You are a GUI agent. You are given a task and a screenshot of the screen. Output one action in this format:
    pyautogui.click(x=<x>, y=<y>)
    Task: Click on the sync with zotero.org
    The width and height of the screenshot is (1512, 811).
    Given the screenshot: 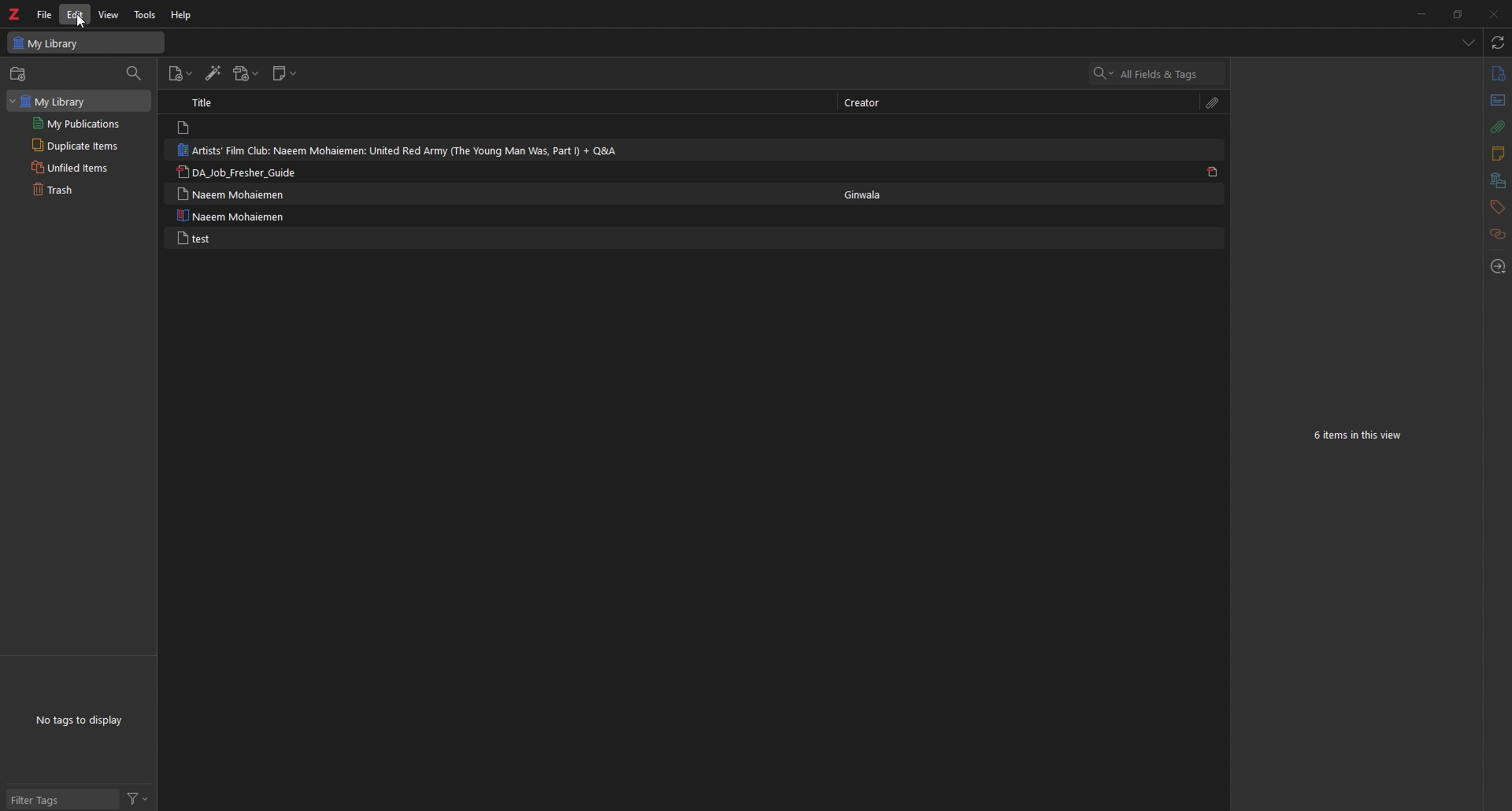 What is the action you would take?
    pyautogui.click(x=1499, y=43)
    